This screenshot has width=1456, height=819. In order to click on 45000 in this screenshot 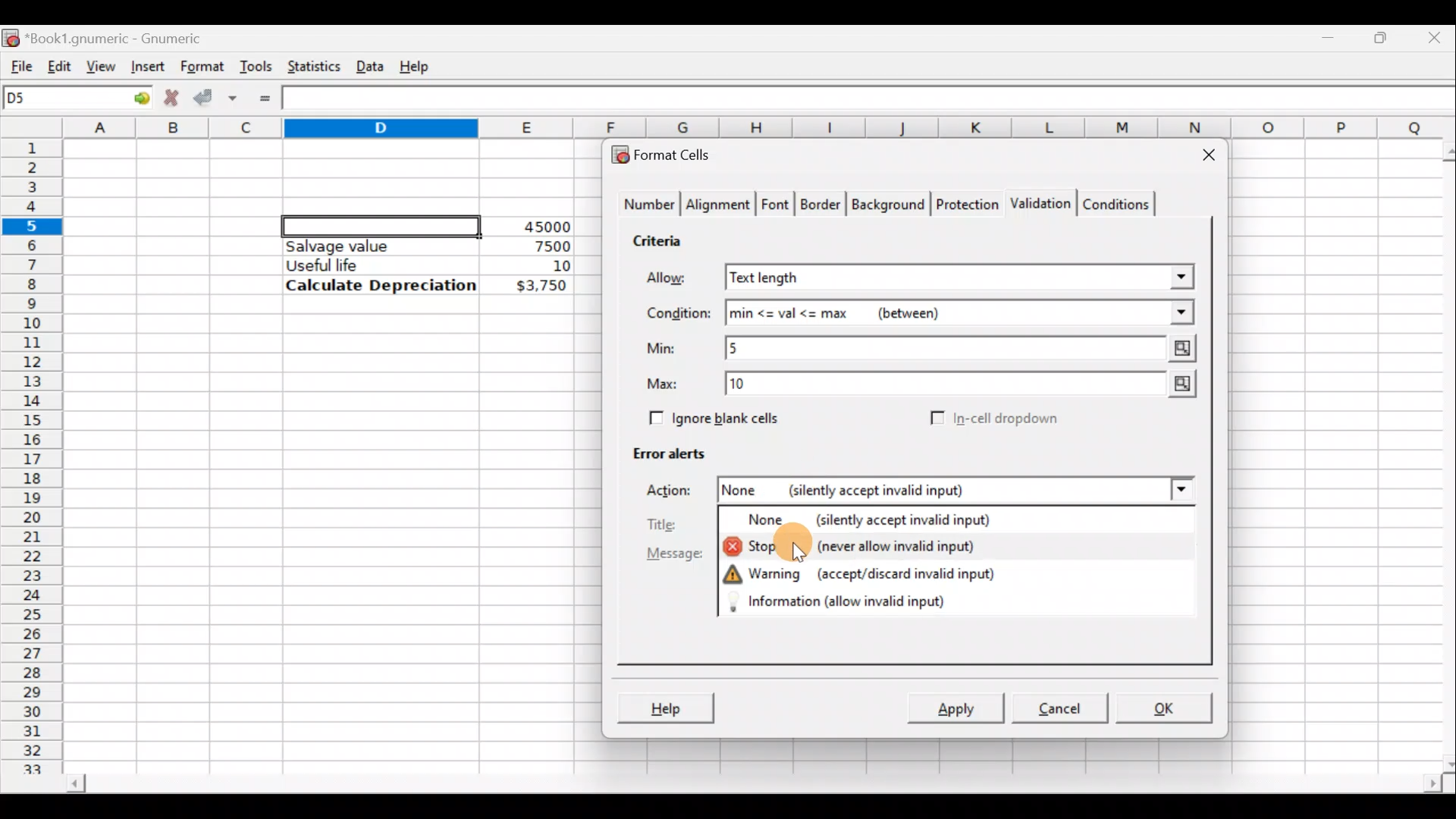, I will do `click(541, 227)`.